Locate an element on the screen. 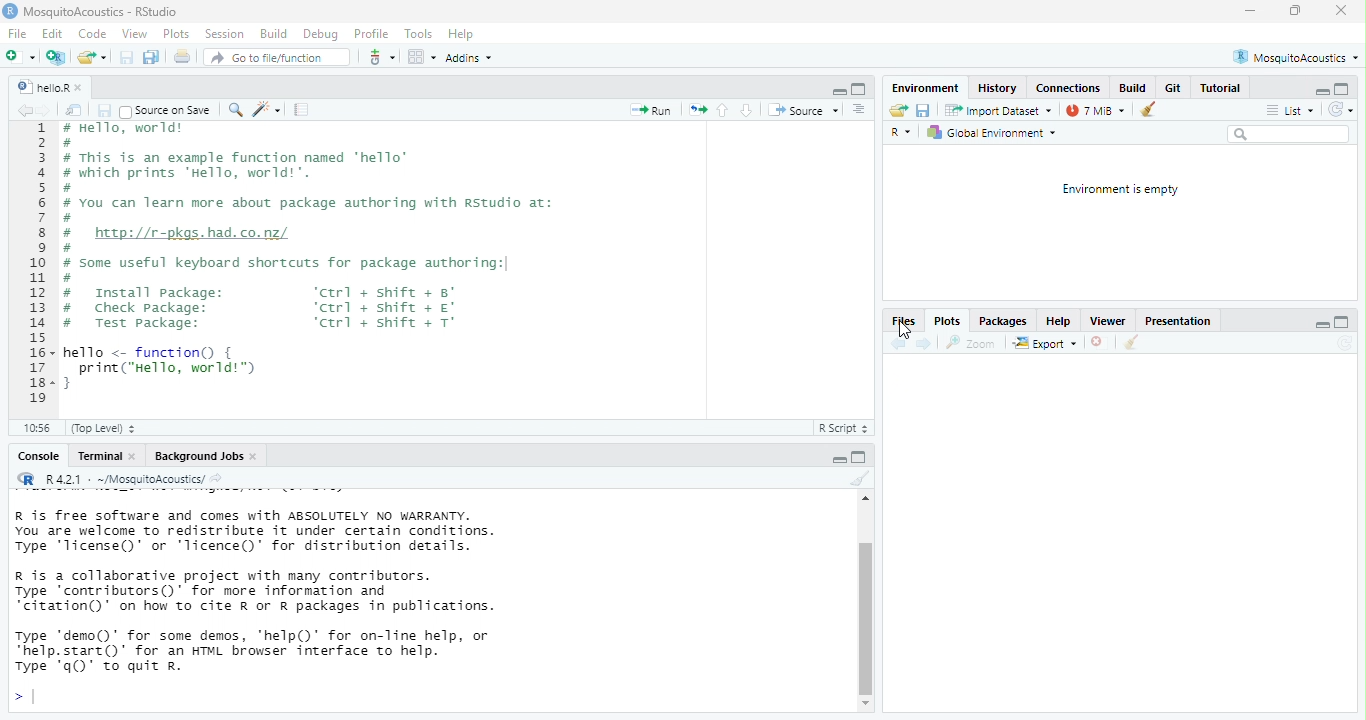 The height and width of the screenshot is (720, 1366). R is free software and comes with ABSOLUTELY NO WARRANTY.
You are welcome to redistribute it under certain conditions.
Type 'Ticense()' or 'licence()’ for distribution details.

R is a collaborative project with many contributors.

Type ‘contributors()’ for more information and

“citation()’ on how to cite R or R packages in publications.
Type ‘demo()' for some demos, ‘'help()’ for on-line help, or
“help. start()’ for an HTML browser interface to help.

Type 'q0)" to quit R. is located at coordinates (293, 585).